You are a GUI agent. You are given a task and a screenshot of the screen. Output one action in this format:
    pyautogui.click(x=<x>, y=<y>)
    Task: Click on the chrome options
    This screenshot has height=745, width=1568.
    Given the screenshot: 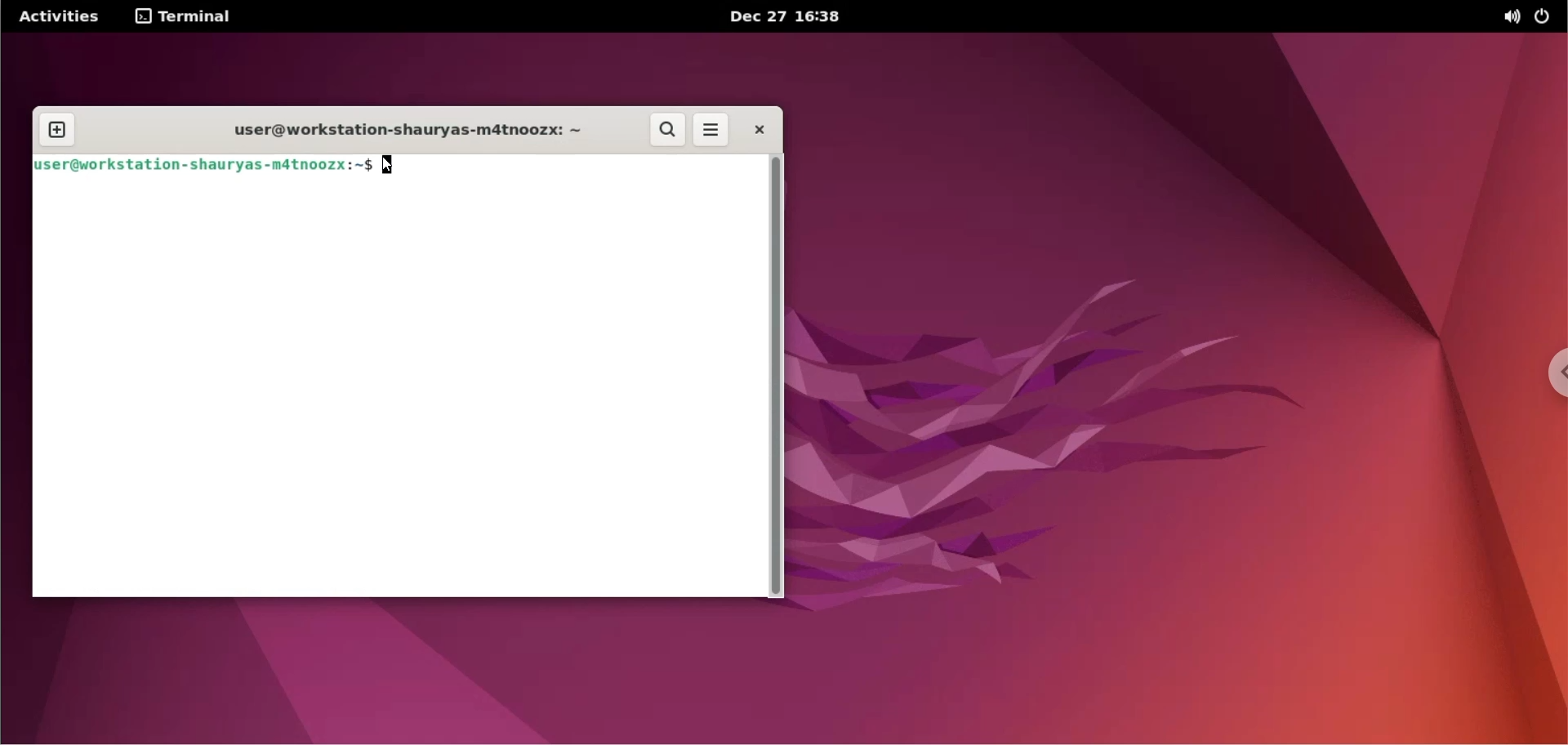 What is the action you would take?
    pyautogui.click(x=1558, y=373)
    